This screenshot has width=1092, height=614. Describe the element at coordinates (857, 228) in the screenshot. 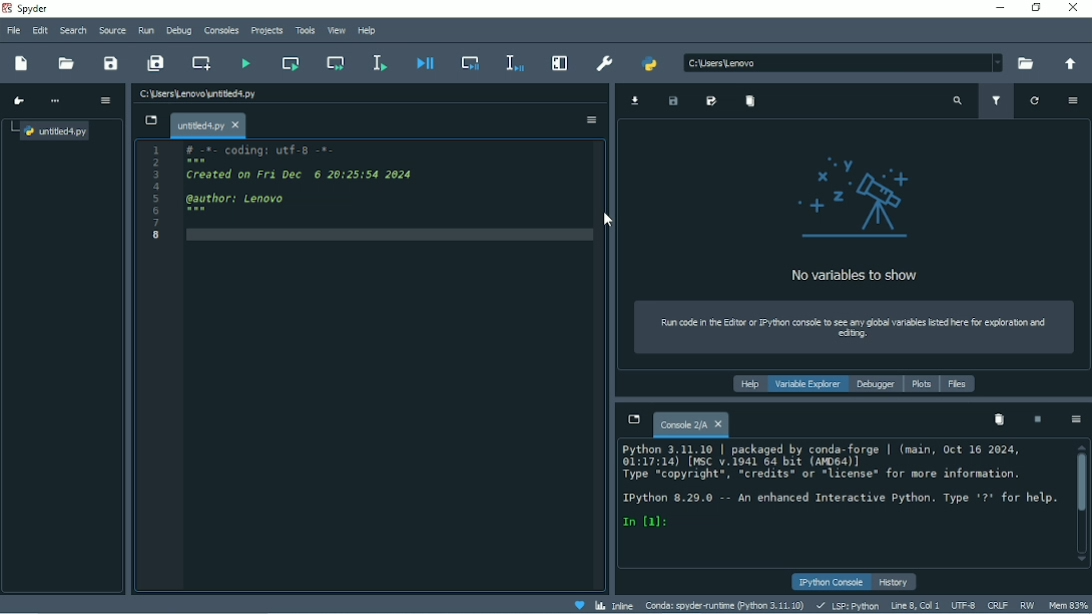

I see `No variables to show` at that location.